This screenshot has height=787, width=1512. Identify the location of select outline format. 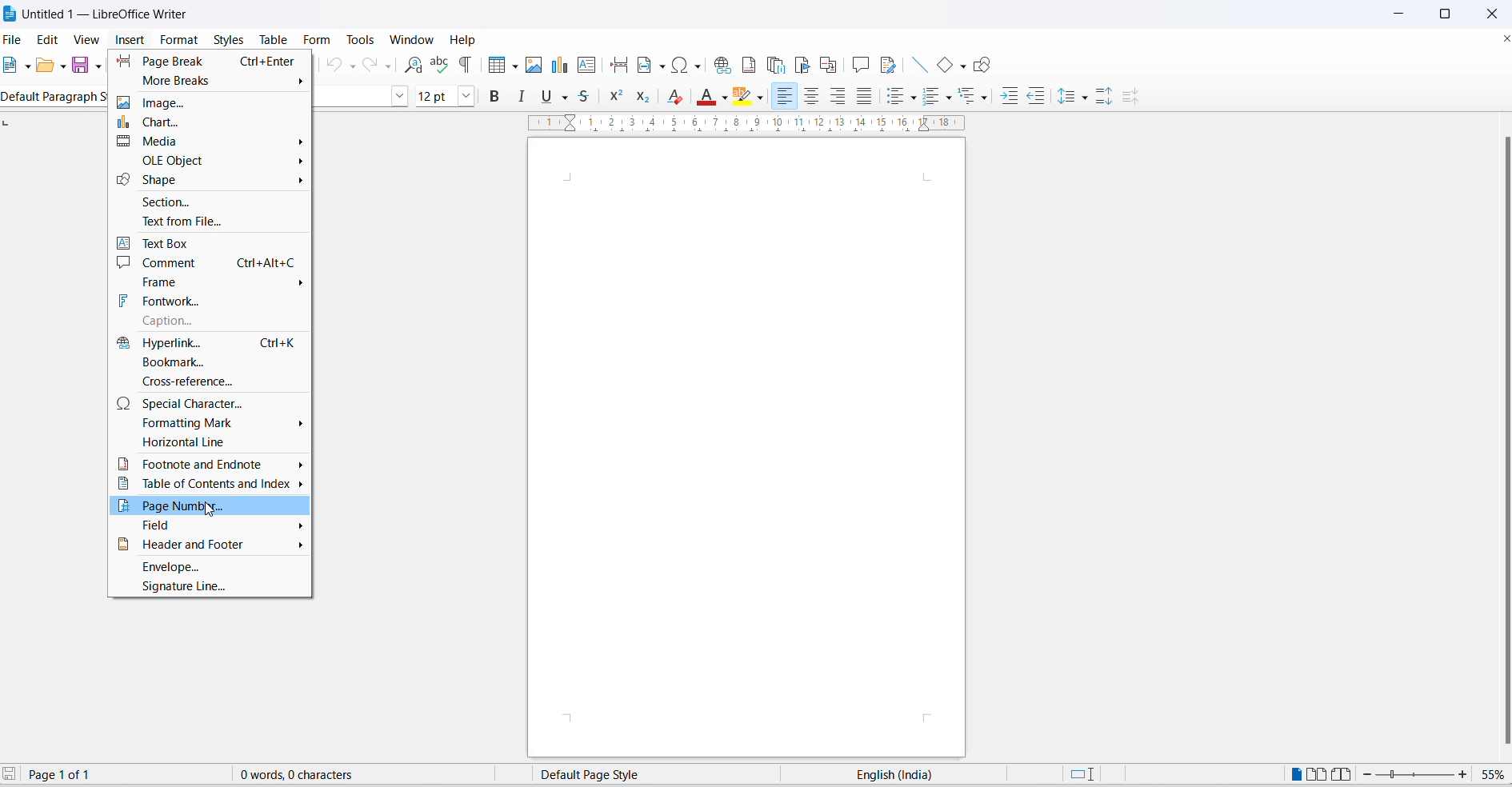
(976, 97).